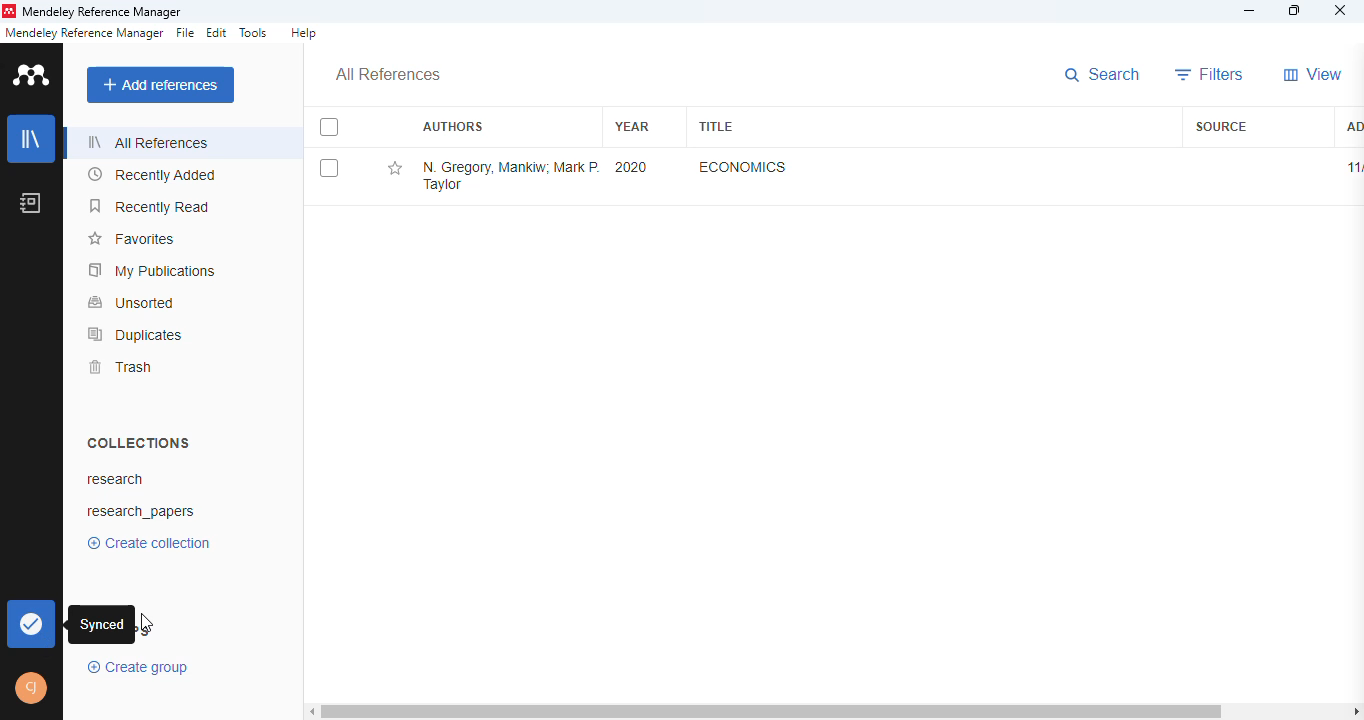 The width and height of the screenshot is (1364, 720). Describe the element at coordinates (138, 443) in the screenshot. I see `collections` at that location.